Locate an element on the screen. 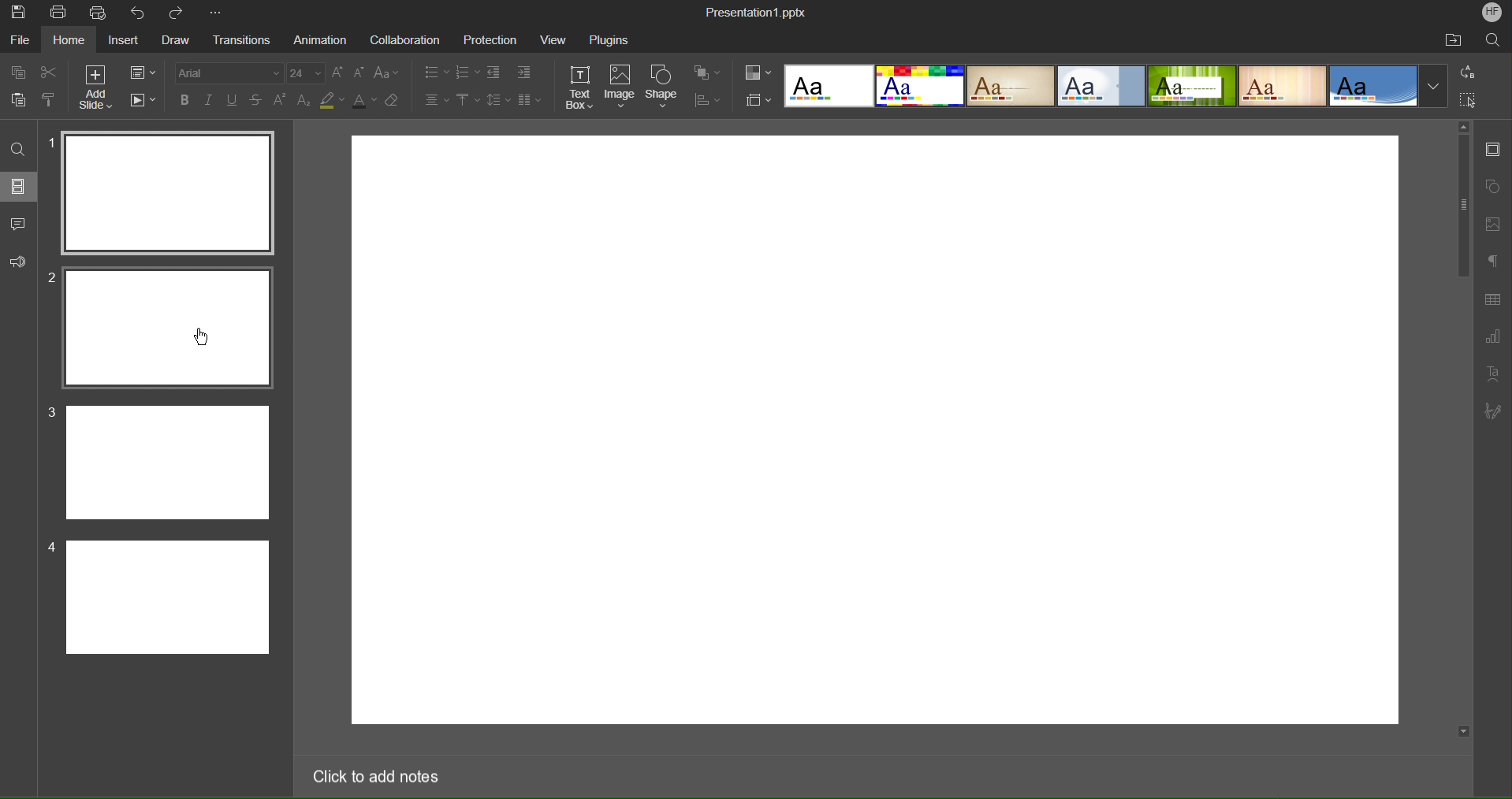  scroll up is located at coordinates (1463, 125).